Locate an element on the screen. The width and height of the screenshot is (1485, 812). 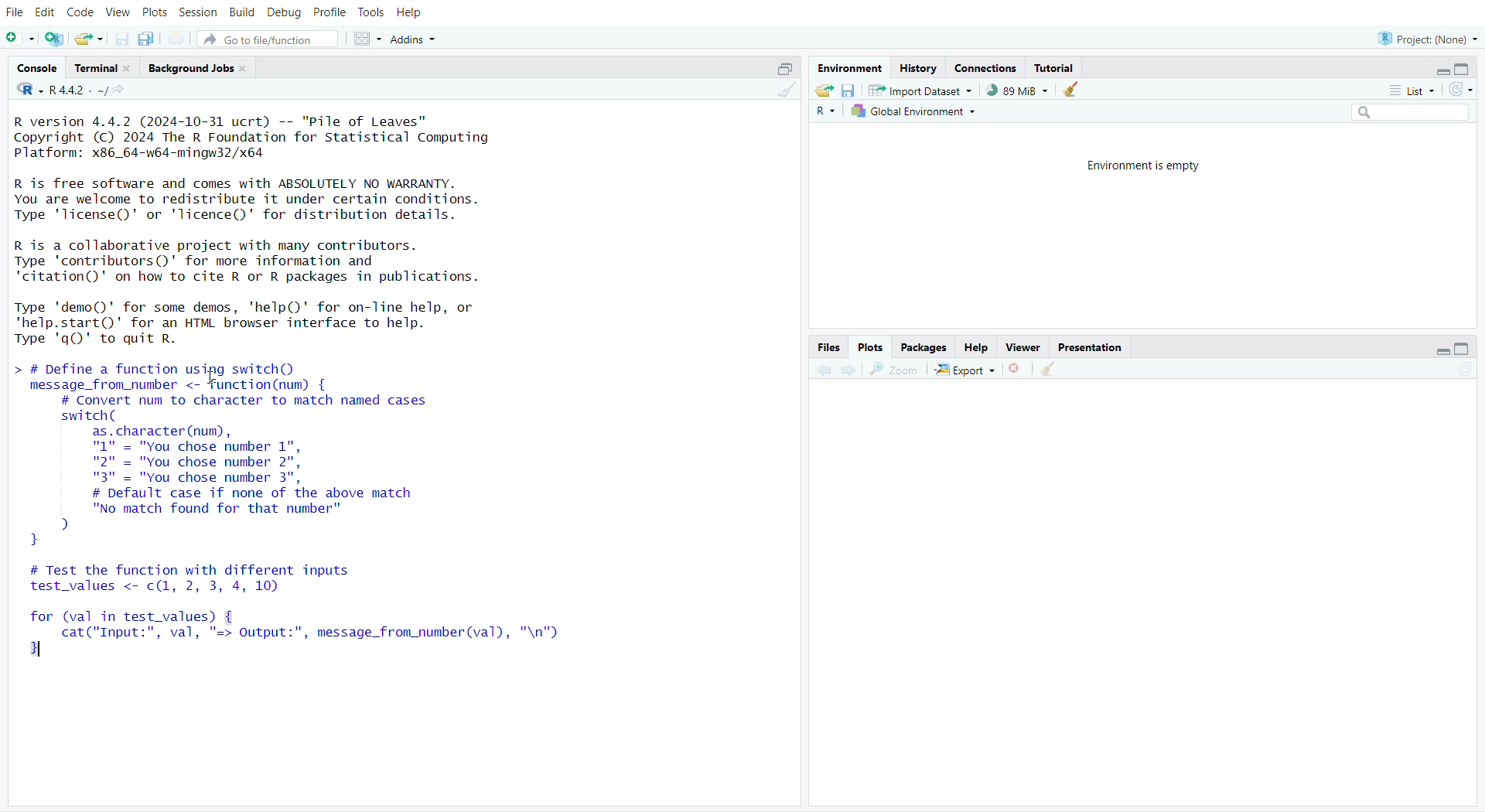
Maximize is located at coordinates (1466, 70).